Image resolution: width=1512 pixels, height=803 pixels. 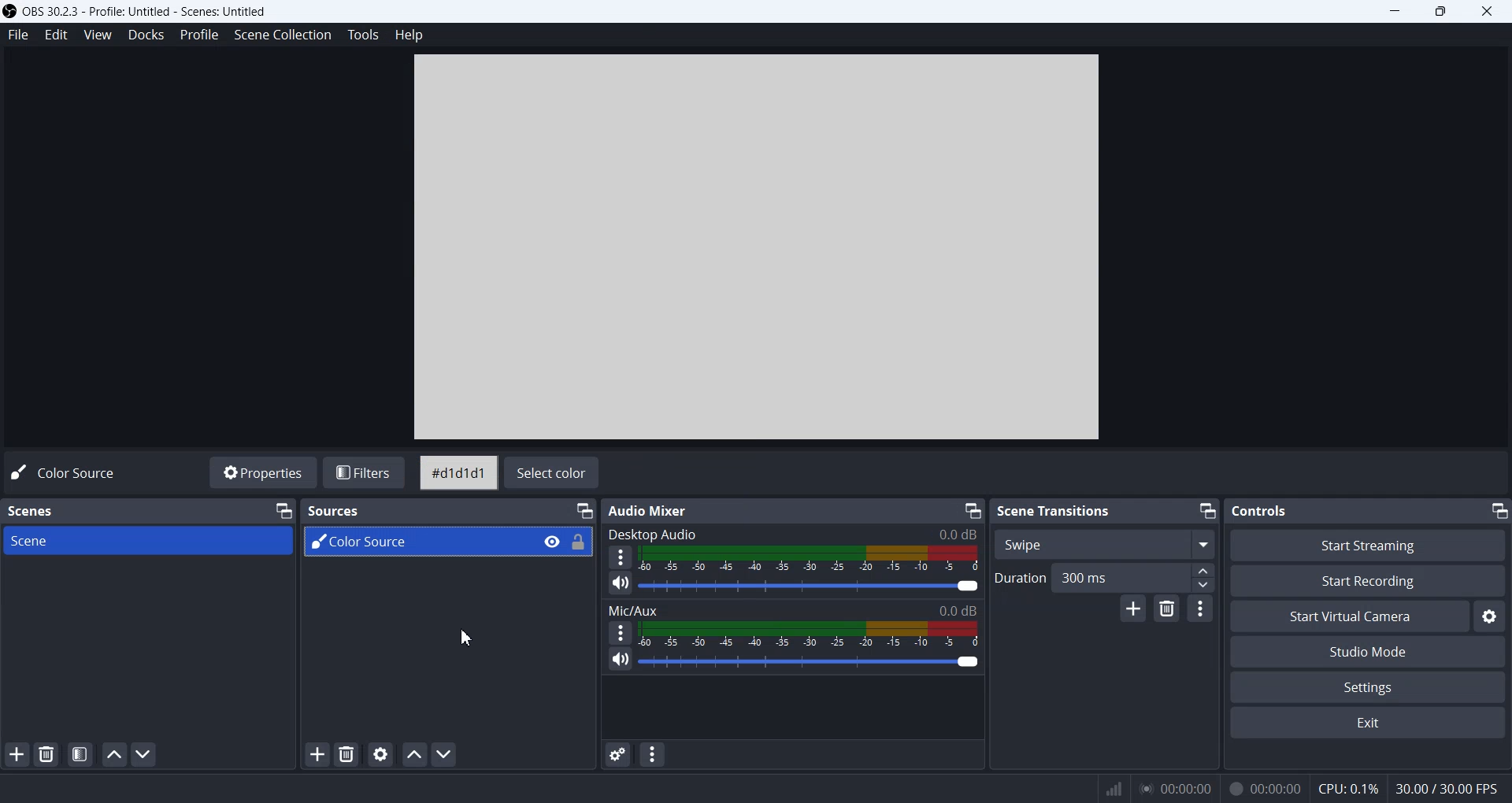 What do you see at coordinates (1369, 650) in the screenshot?
I see `Studio Mode` at bounding box center [1369, 650].